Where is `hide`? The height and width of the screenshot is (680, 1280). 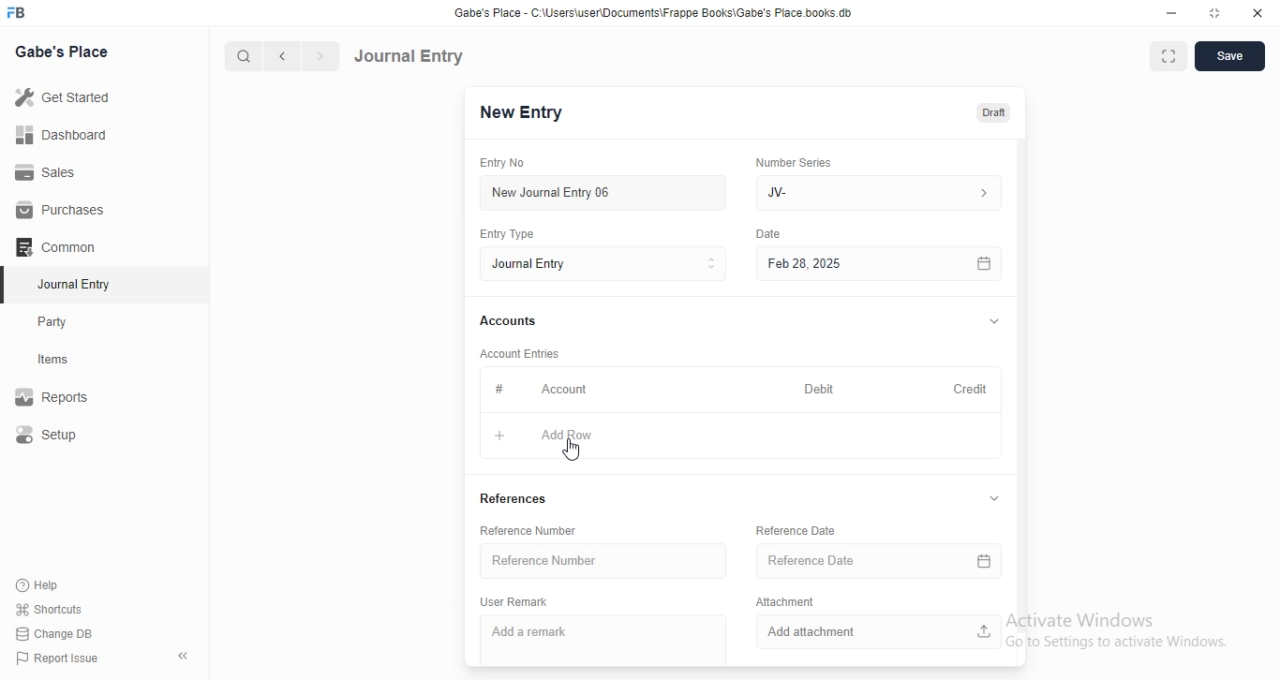
hide is located at coordinates (179, 657).